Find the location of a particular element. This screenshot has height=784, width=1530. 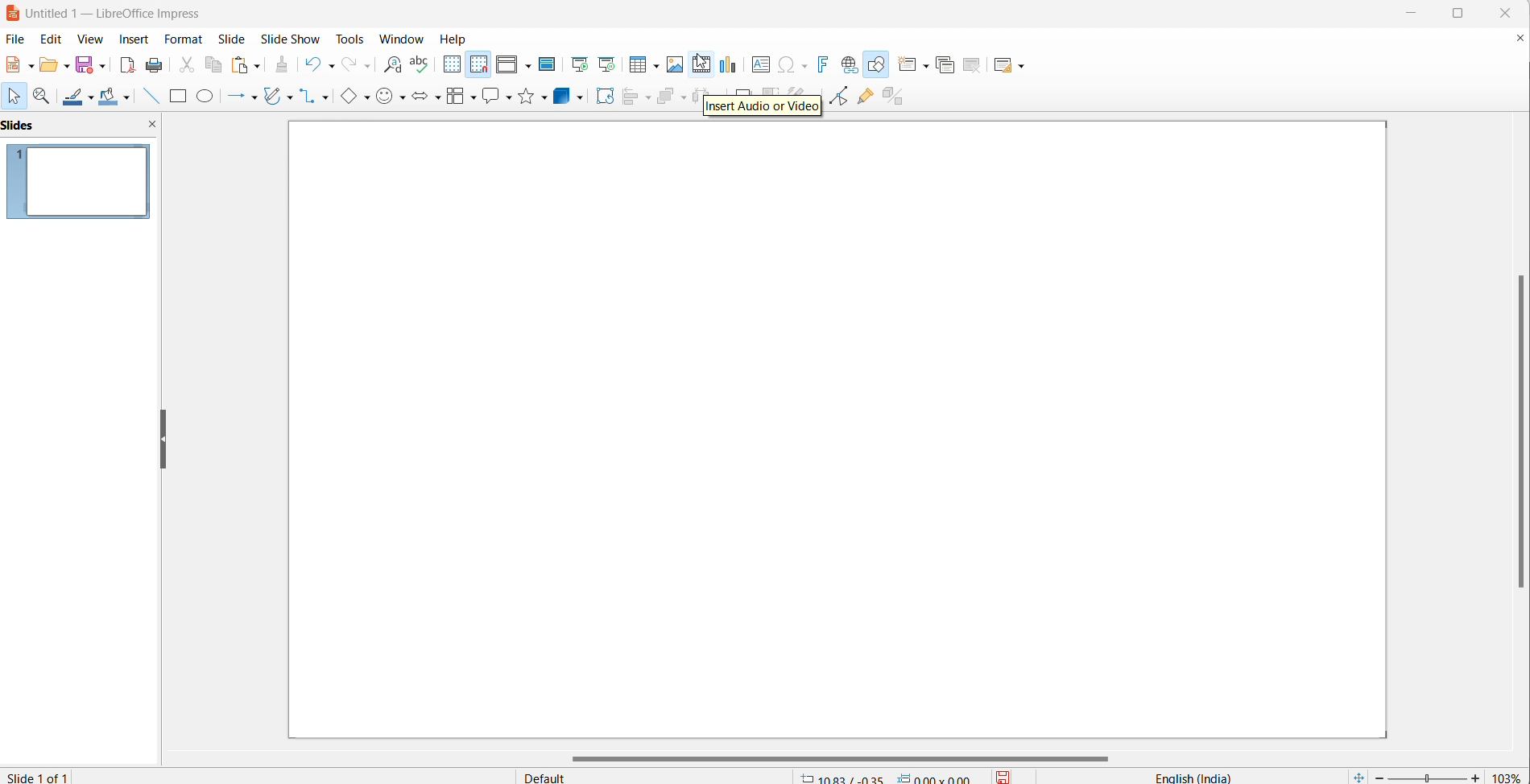

undo options is located at coordinates (329, 65).